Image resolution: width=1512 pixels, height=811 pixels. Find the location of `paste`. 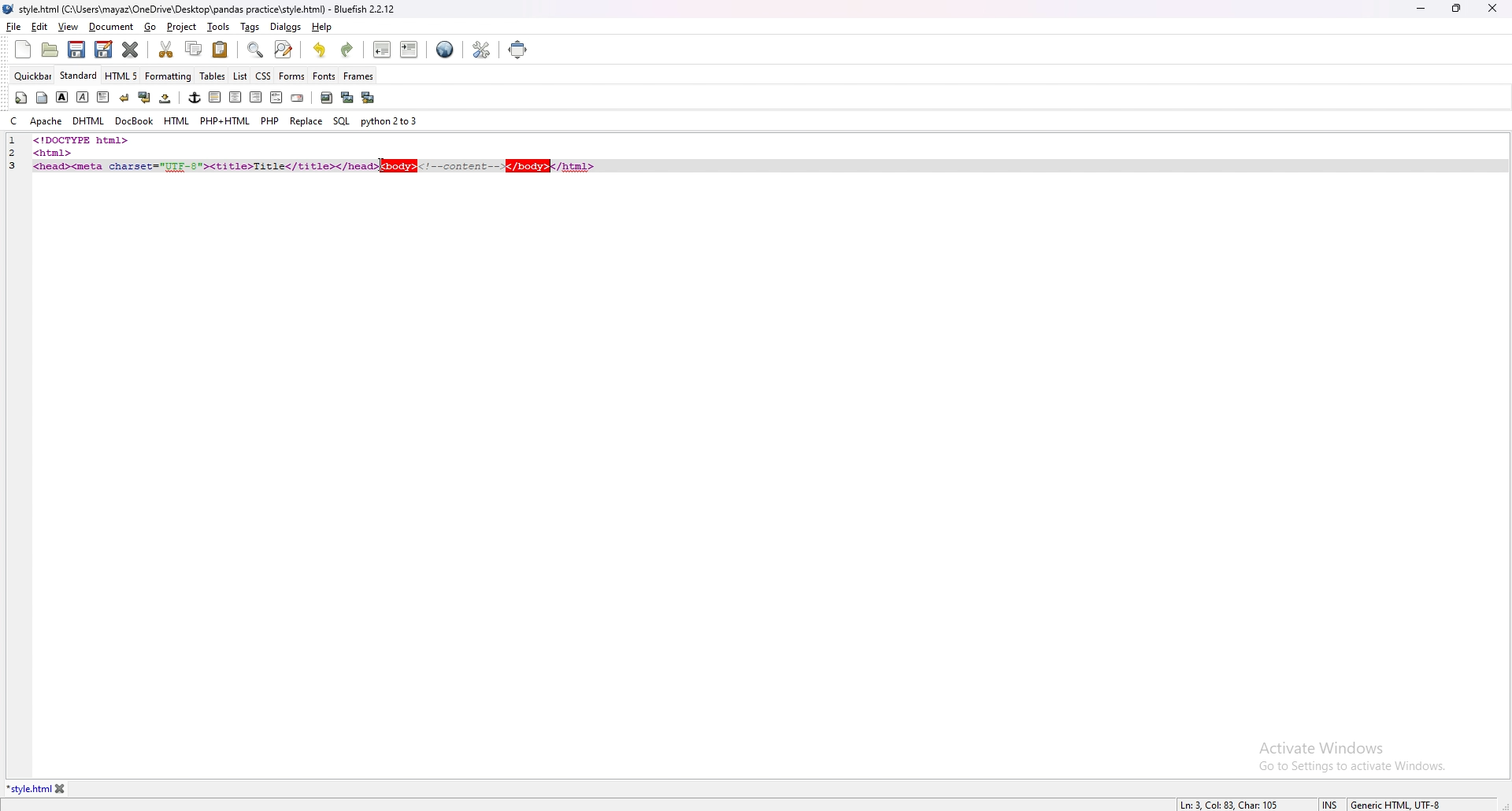

paste is located at coordinates (220, 49).